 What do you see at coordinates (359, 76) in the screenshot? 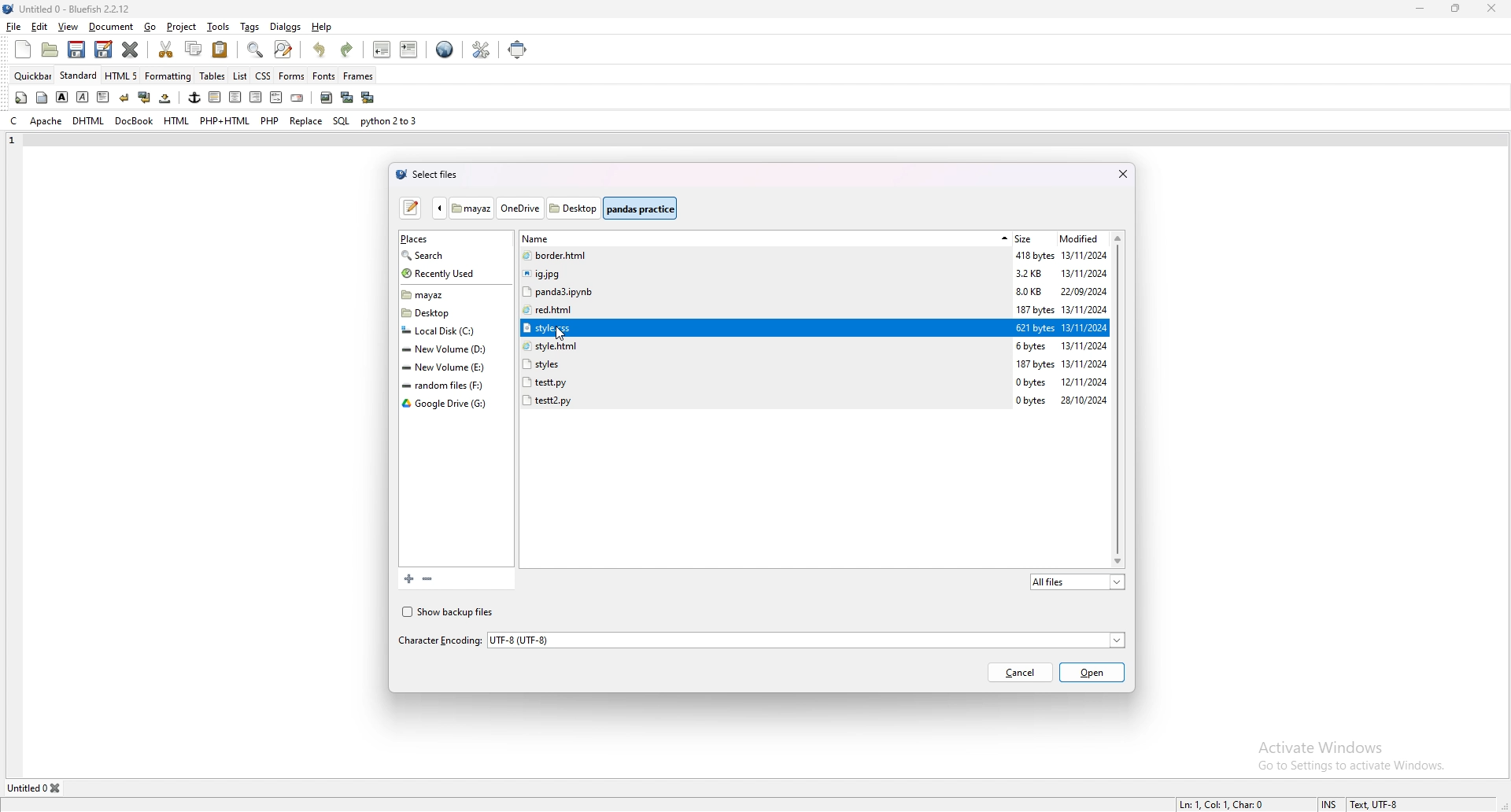
I see `frames` at bounding box center [359, 76].